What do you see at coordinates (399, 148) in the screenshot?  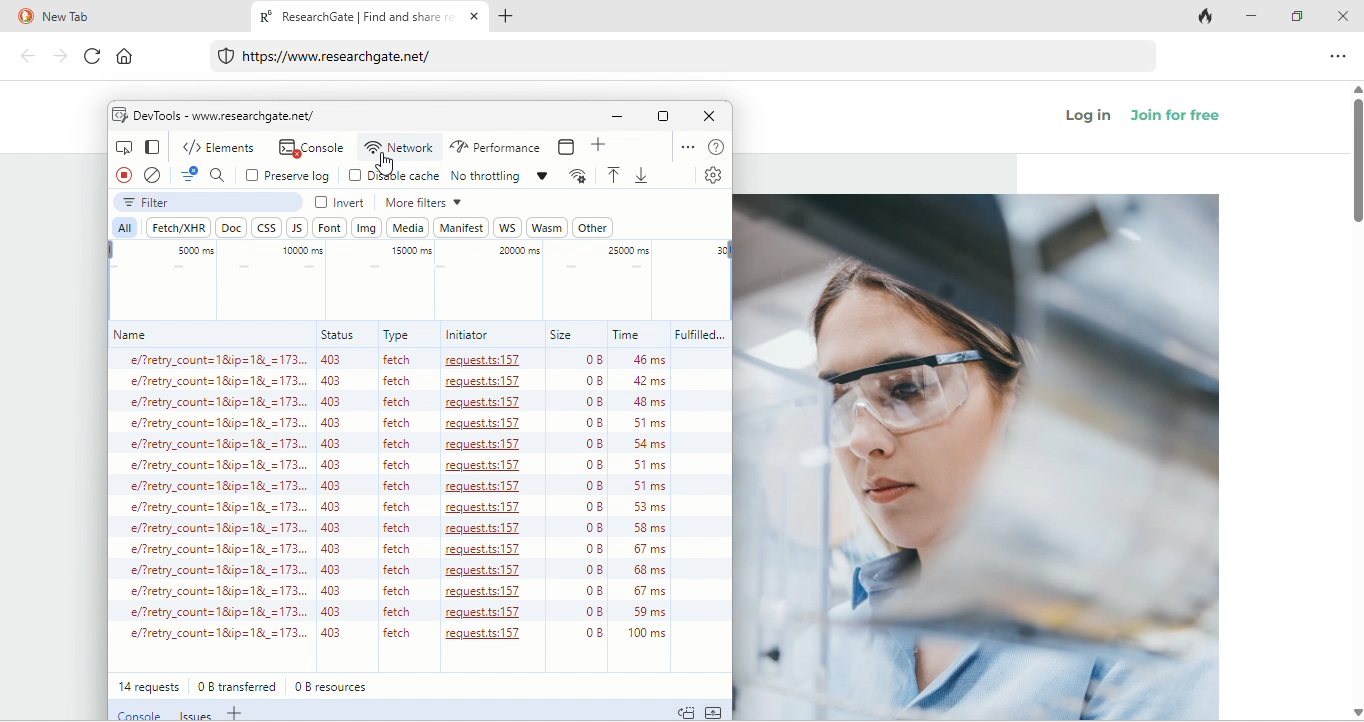 I see `selected network` at bounding box center [399, 148].